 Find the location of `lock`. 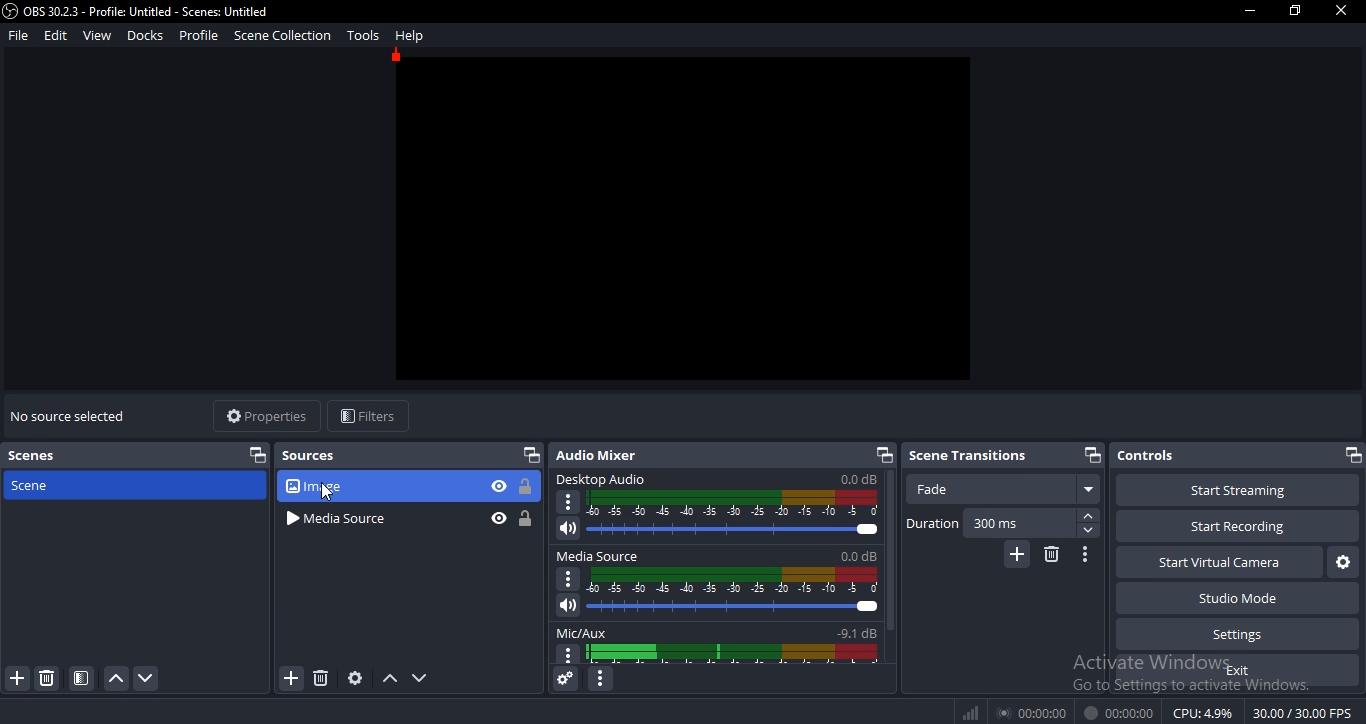

lock is located at coordinates (524, 517).